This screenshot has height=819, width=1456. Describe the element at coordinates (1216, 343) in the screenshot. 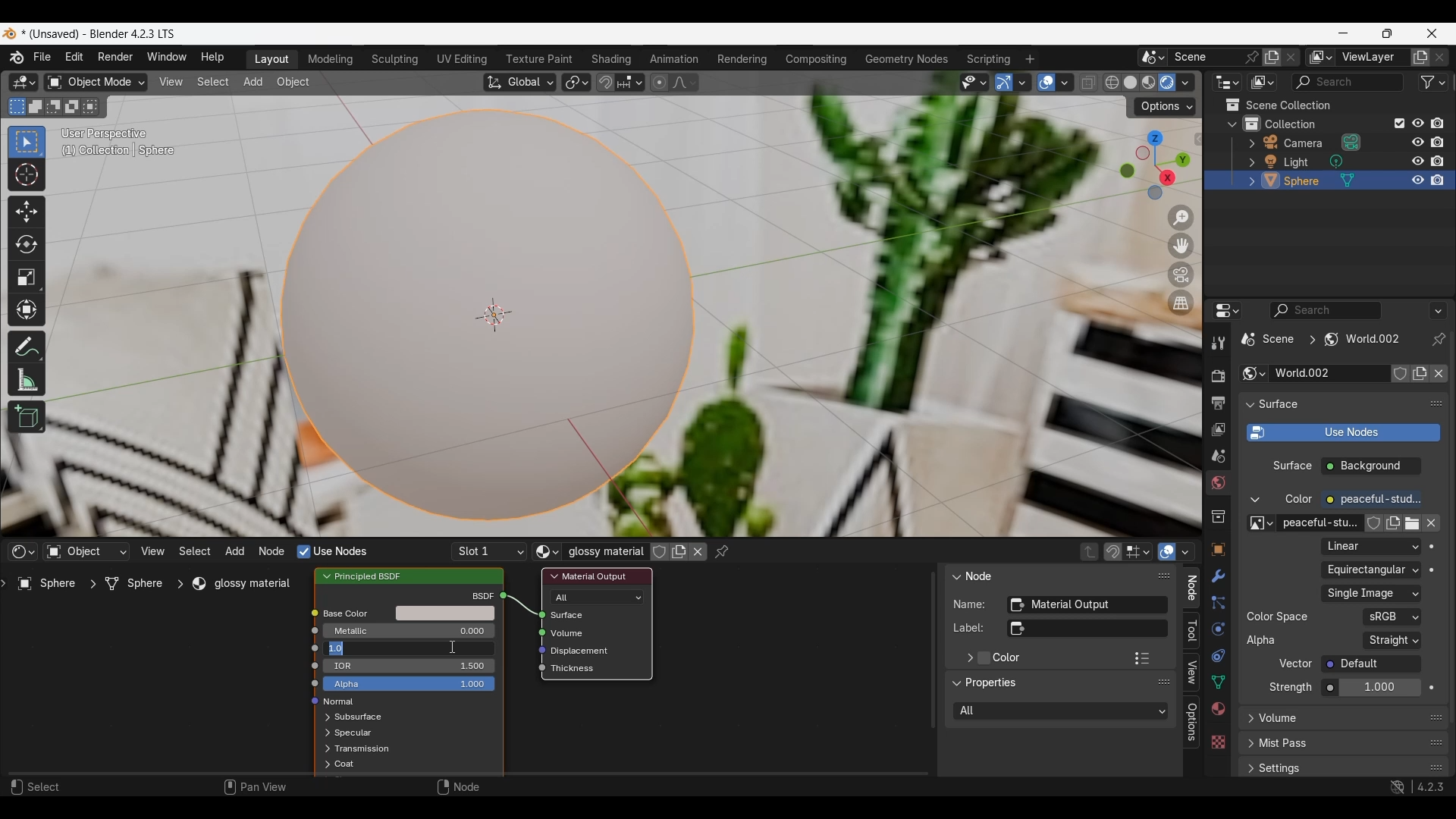

I see `Active tool and workspace settings` at that location.